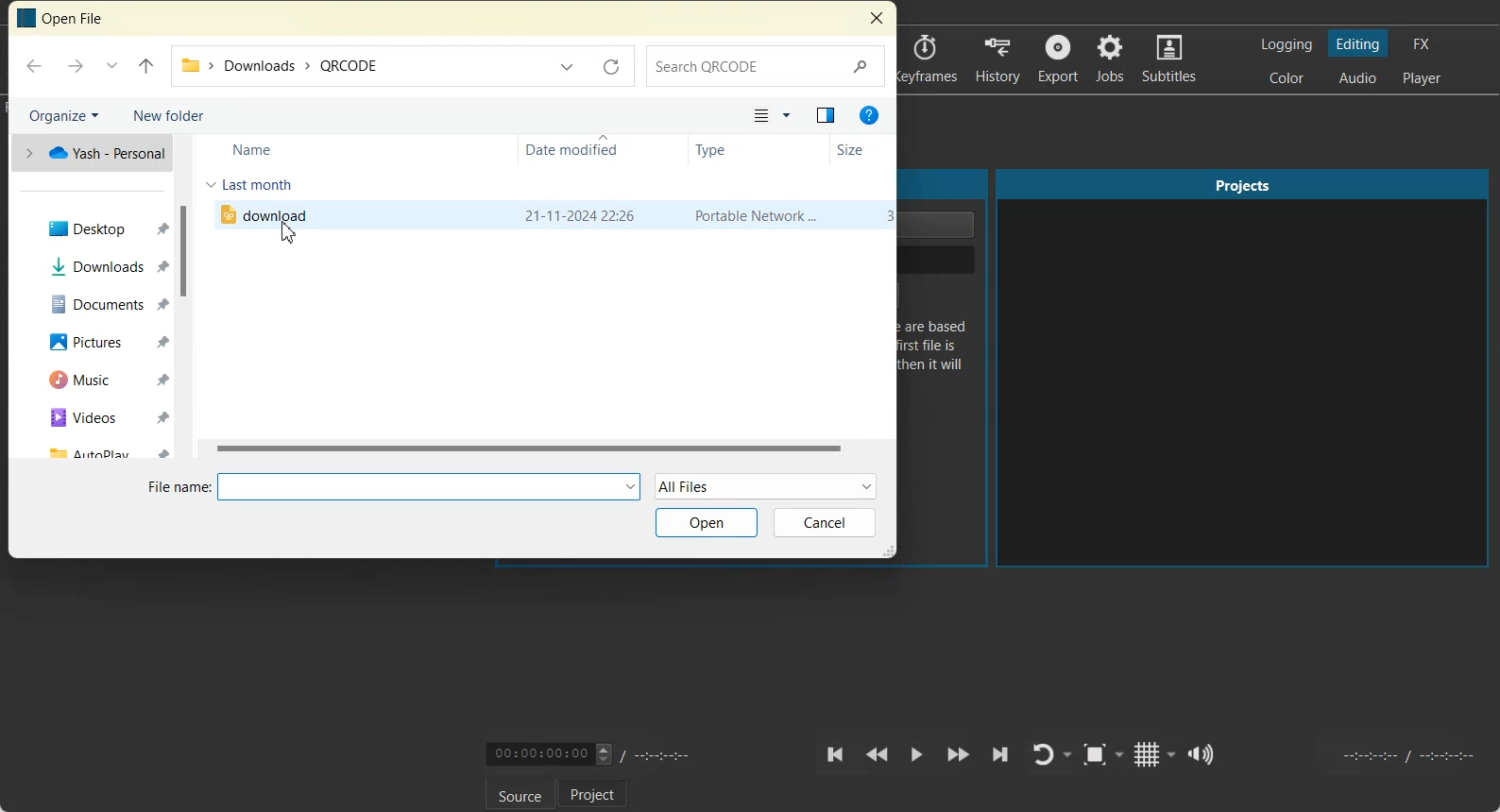  I want to click on Downloads, so click(100, 265).